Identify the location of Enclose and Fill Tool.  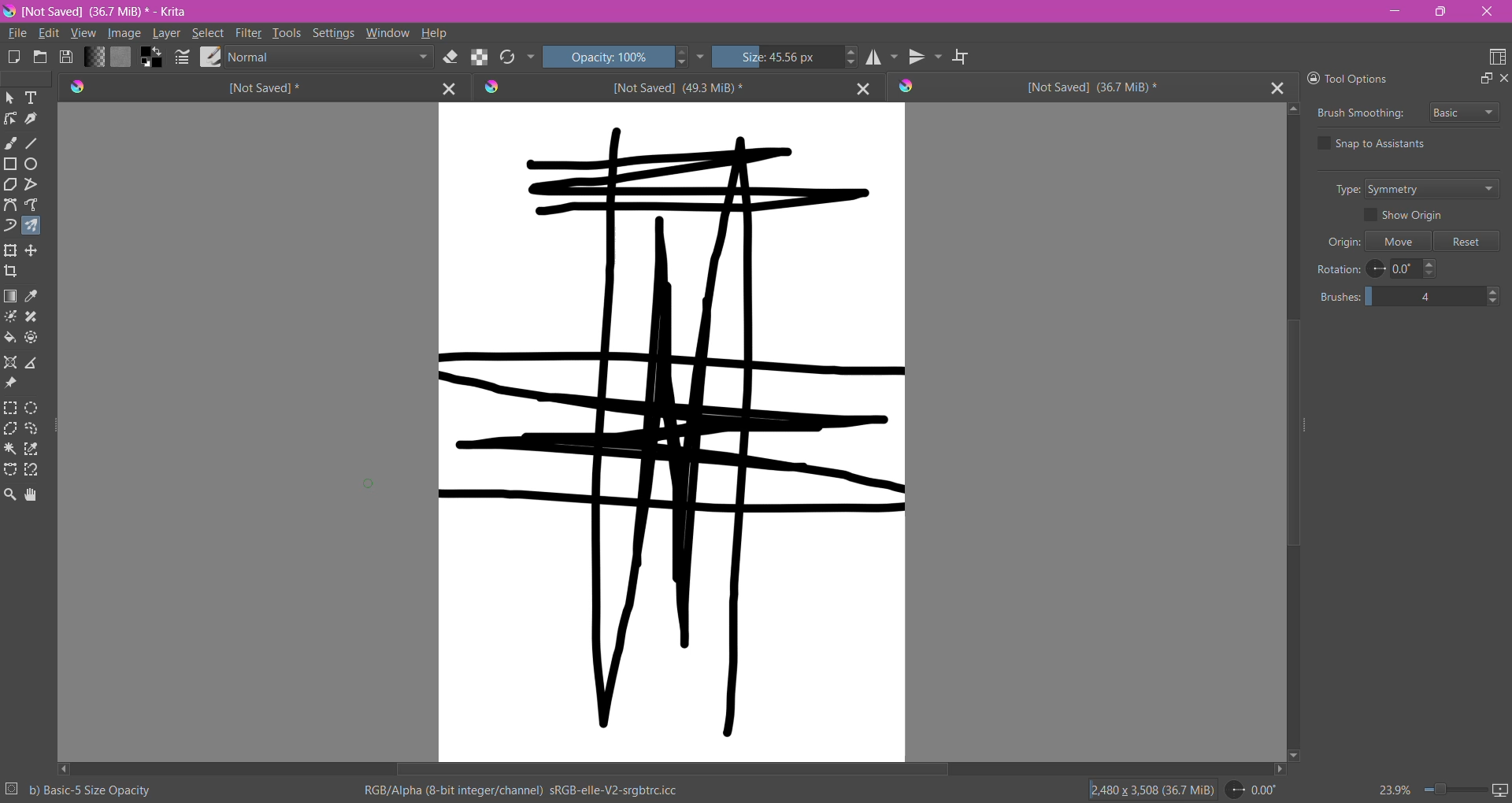
(33, 338).